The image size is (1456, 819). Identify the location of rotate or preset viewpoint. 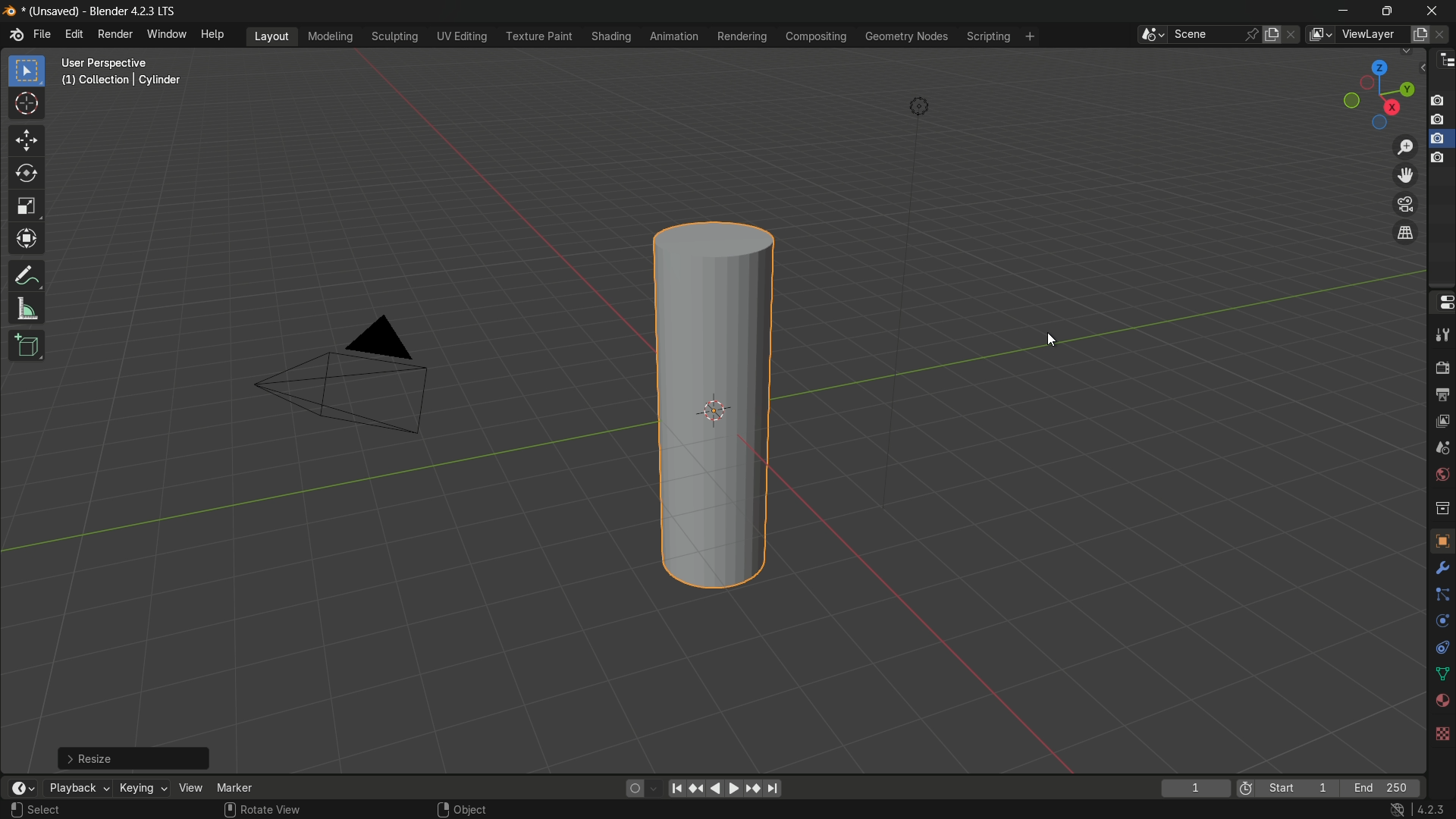
(1377, 92).